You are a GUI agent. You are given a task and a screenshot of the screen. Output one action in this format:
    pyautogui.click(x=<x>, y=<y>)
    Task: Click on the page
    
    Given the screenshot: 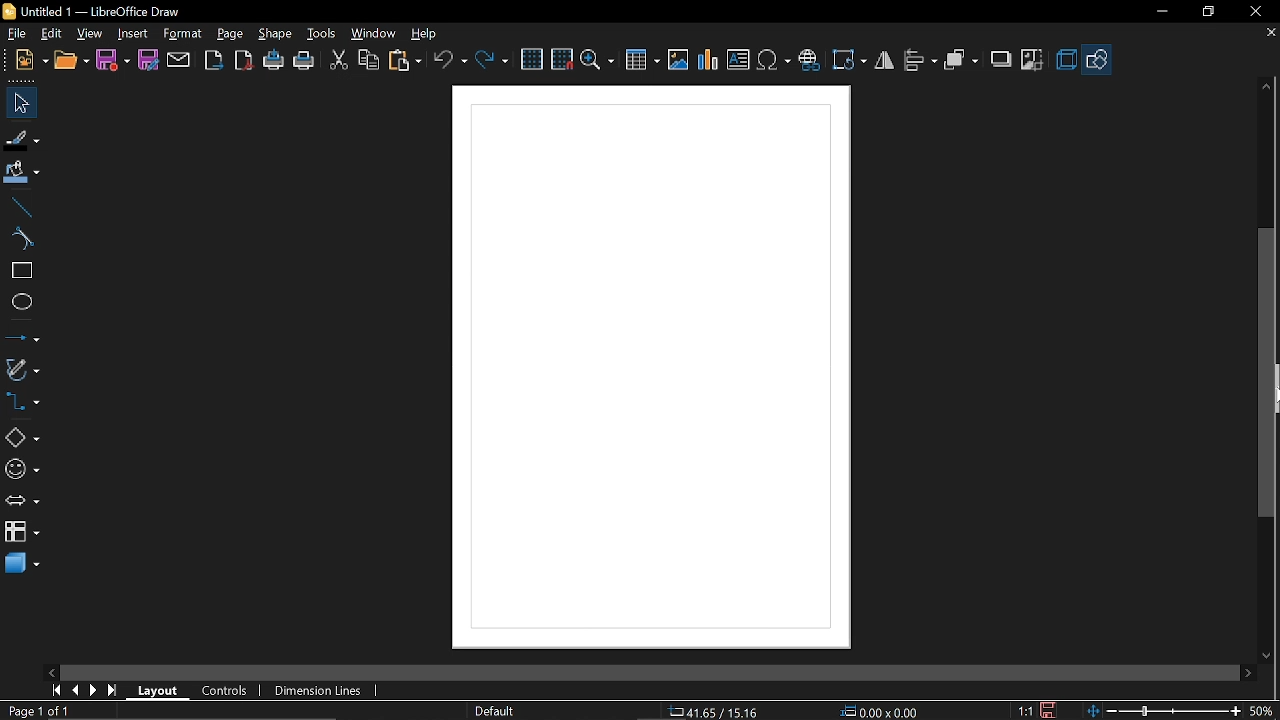 What is the action you would take?
    pyautogui.click(x=230, y=34)
    